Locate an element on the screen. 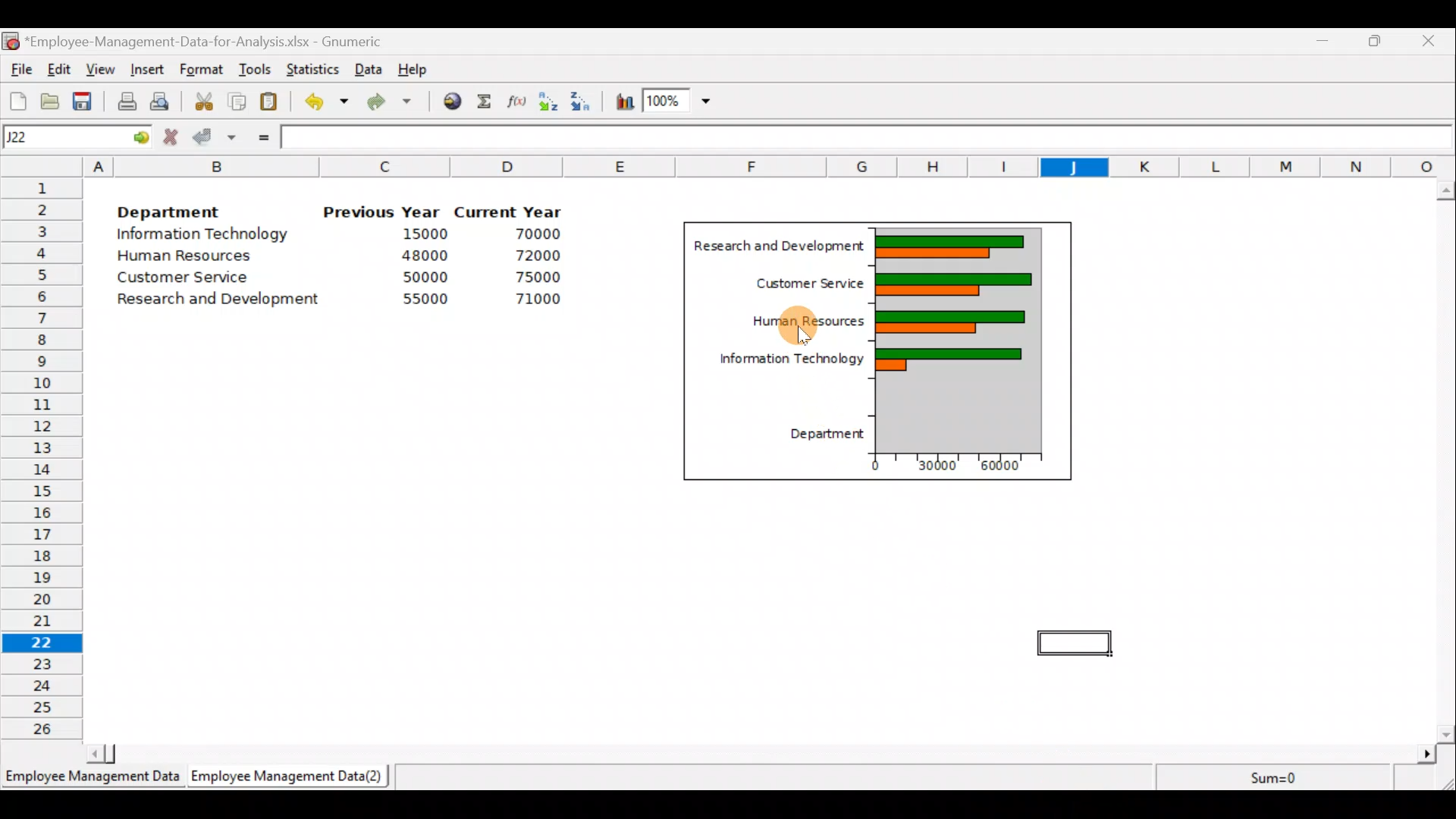  Scroll bar is located at coordinates (755, 753).